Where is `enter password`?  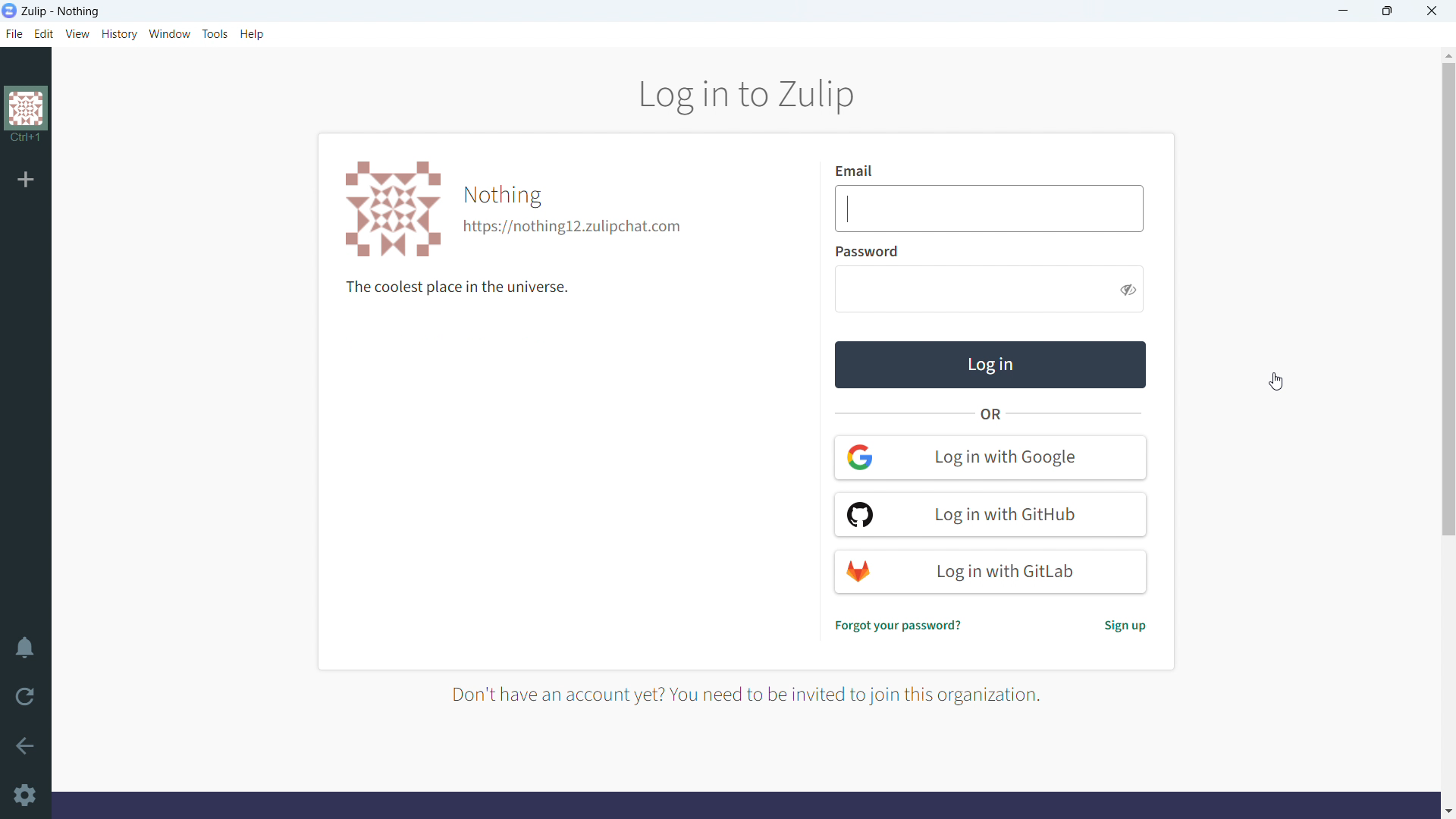
enter password is located at coordinates (972, 290).